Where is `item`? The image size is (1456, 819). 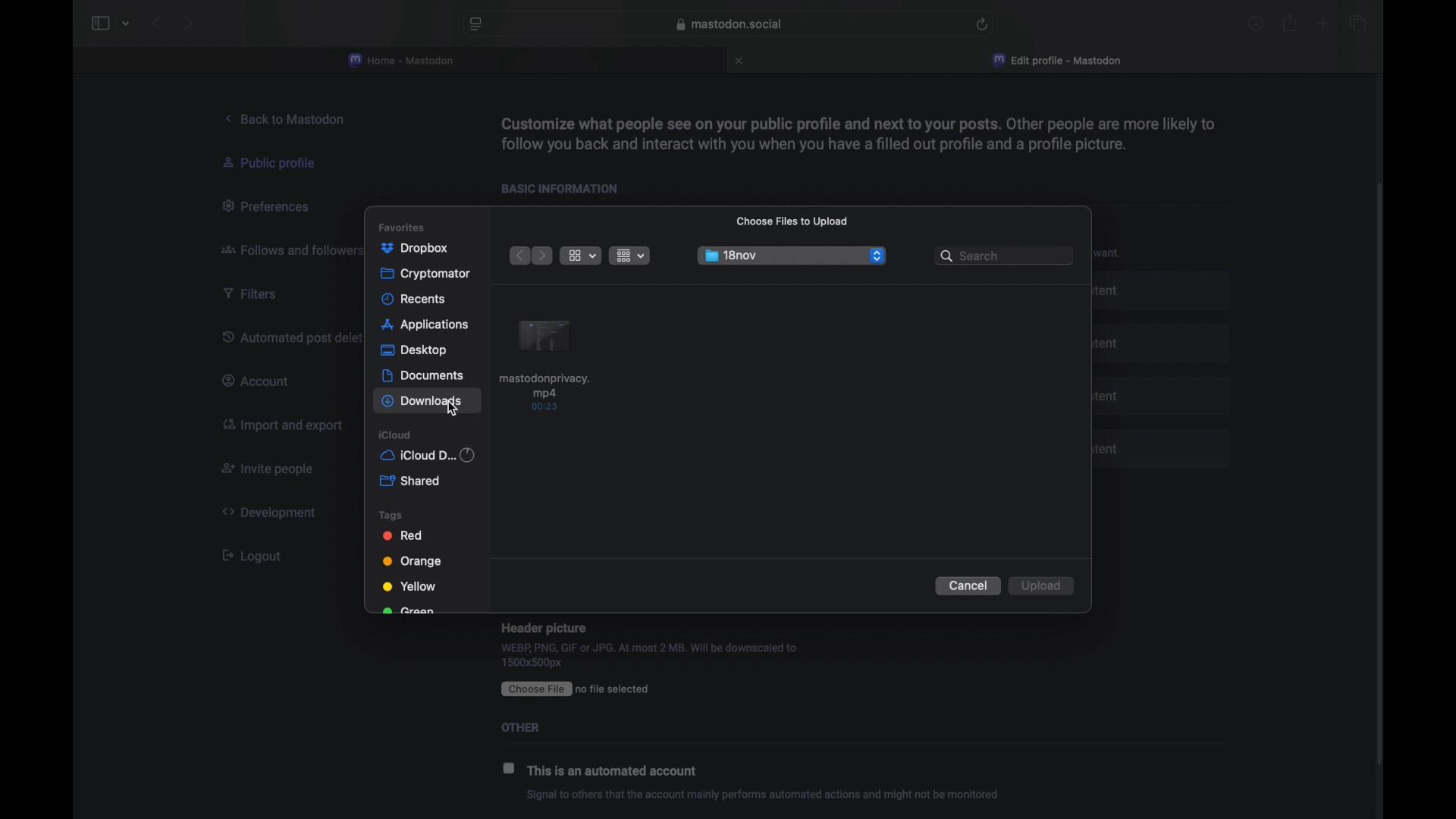 item is located at coordinates (547, 365).